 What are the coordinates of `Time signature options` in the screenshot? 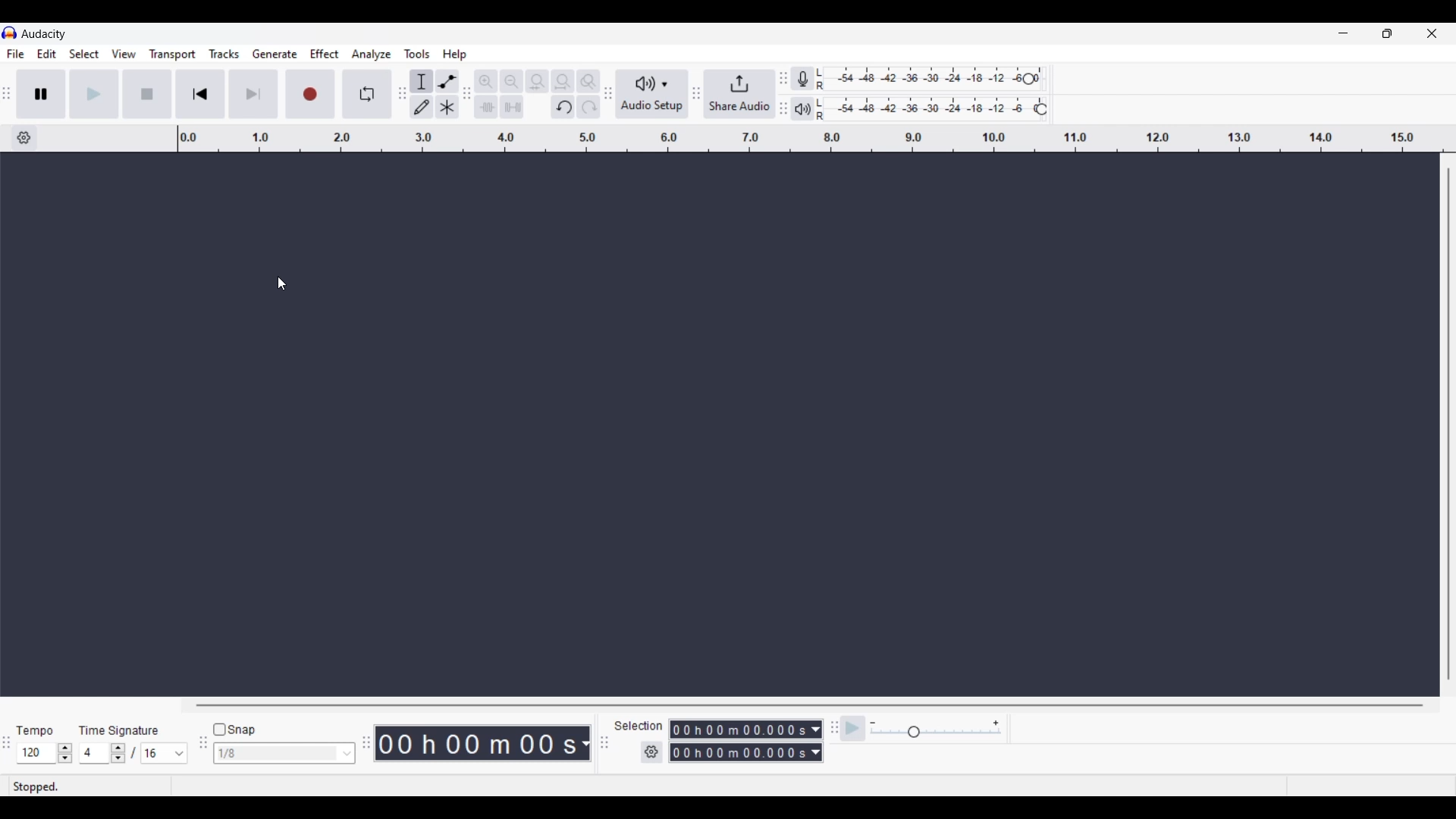 It's located at (180, 754).